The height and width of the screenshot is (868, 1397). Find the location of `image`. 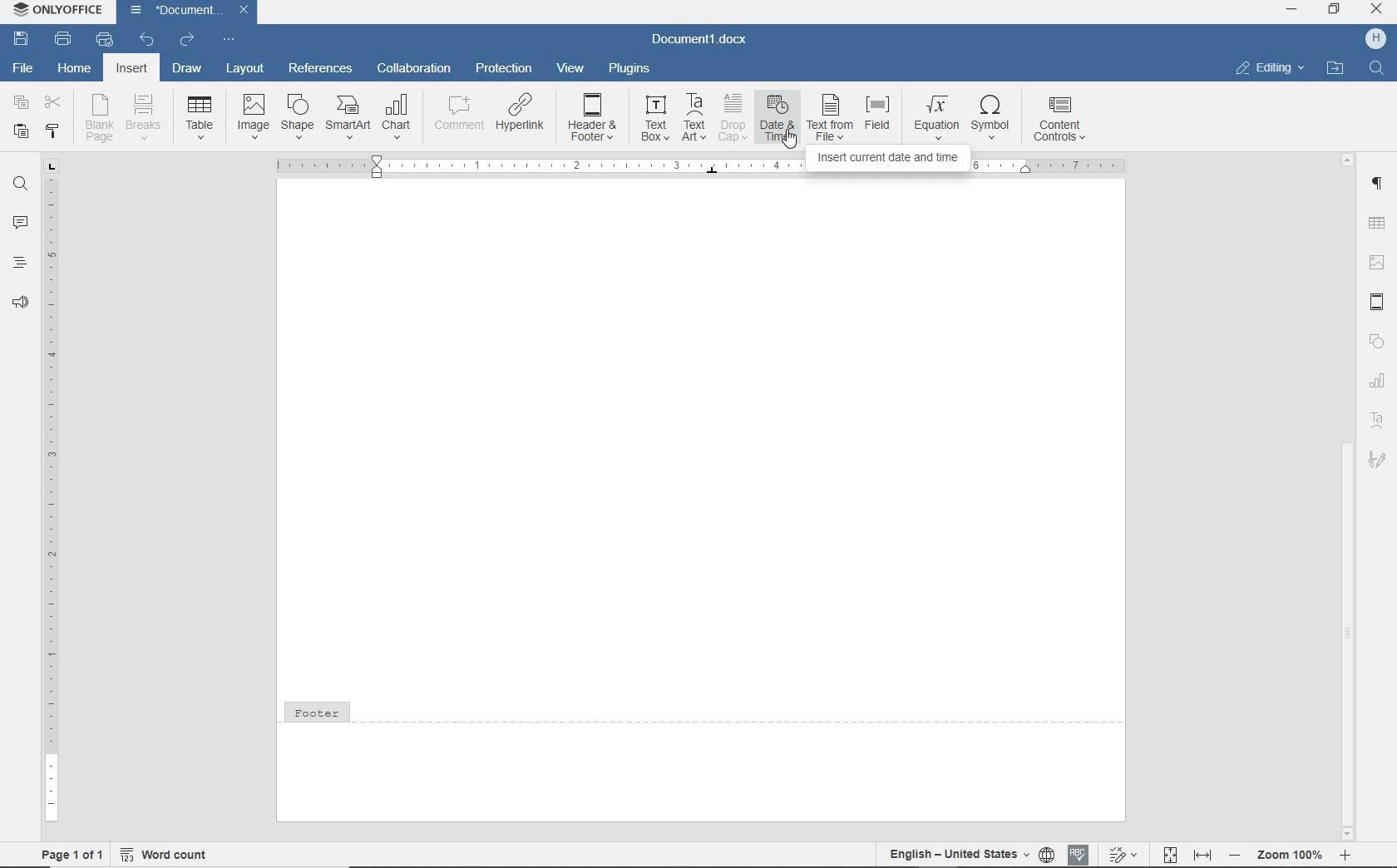

image is located at coordinates (254, 116).